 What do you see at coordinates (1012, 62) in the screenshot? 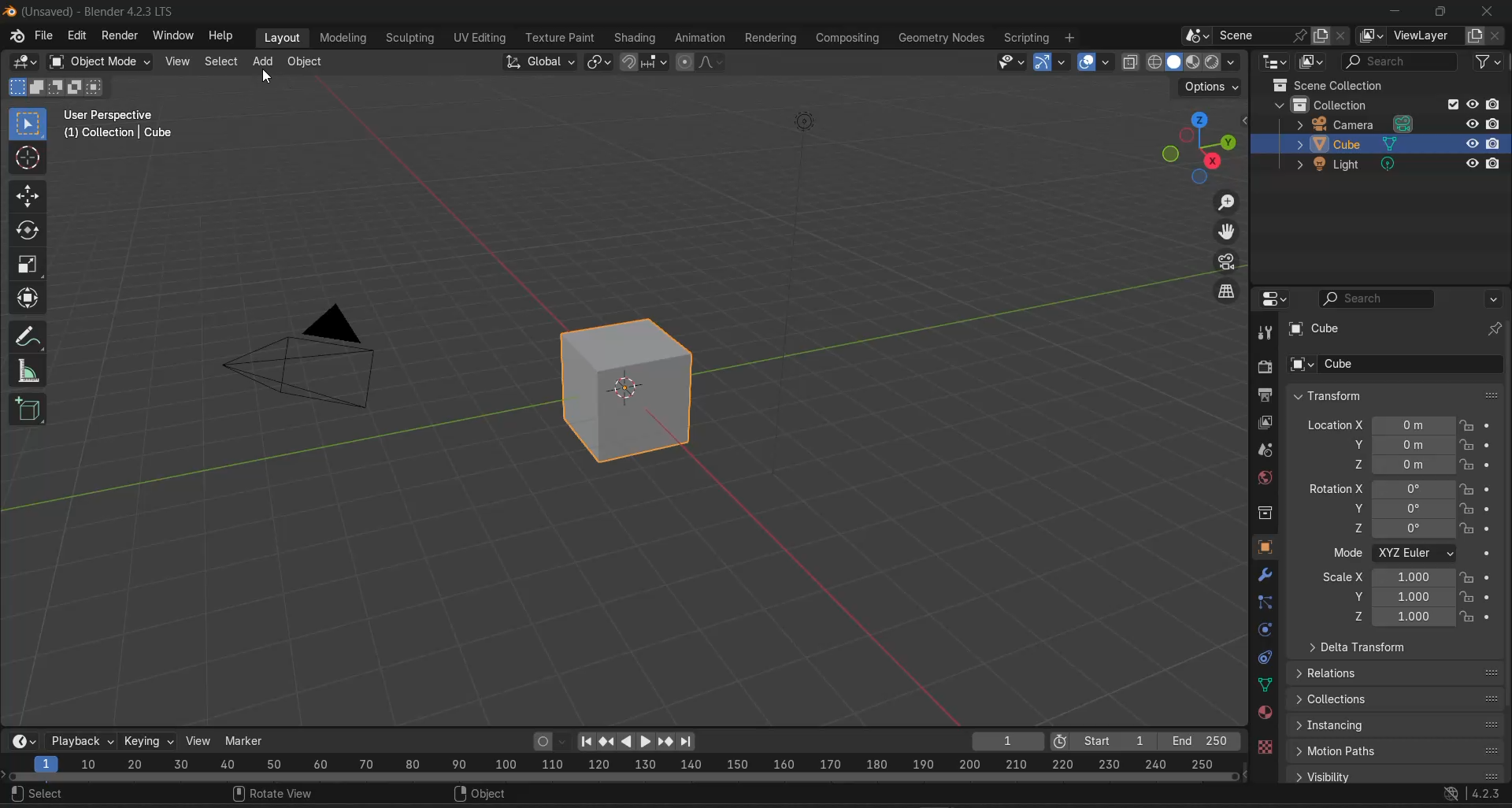
I see `selectability & visibilty` at bounding box center [1012, 62].